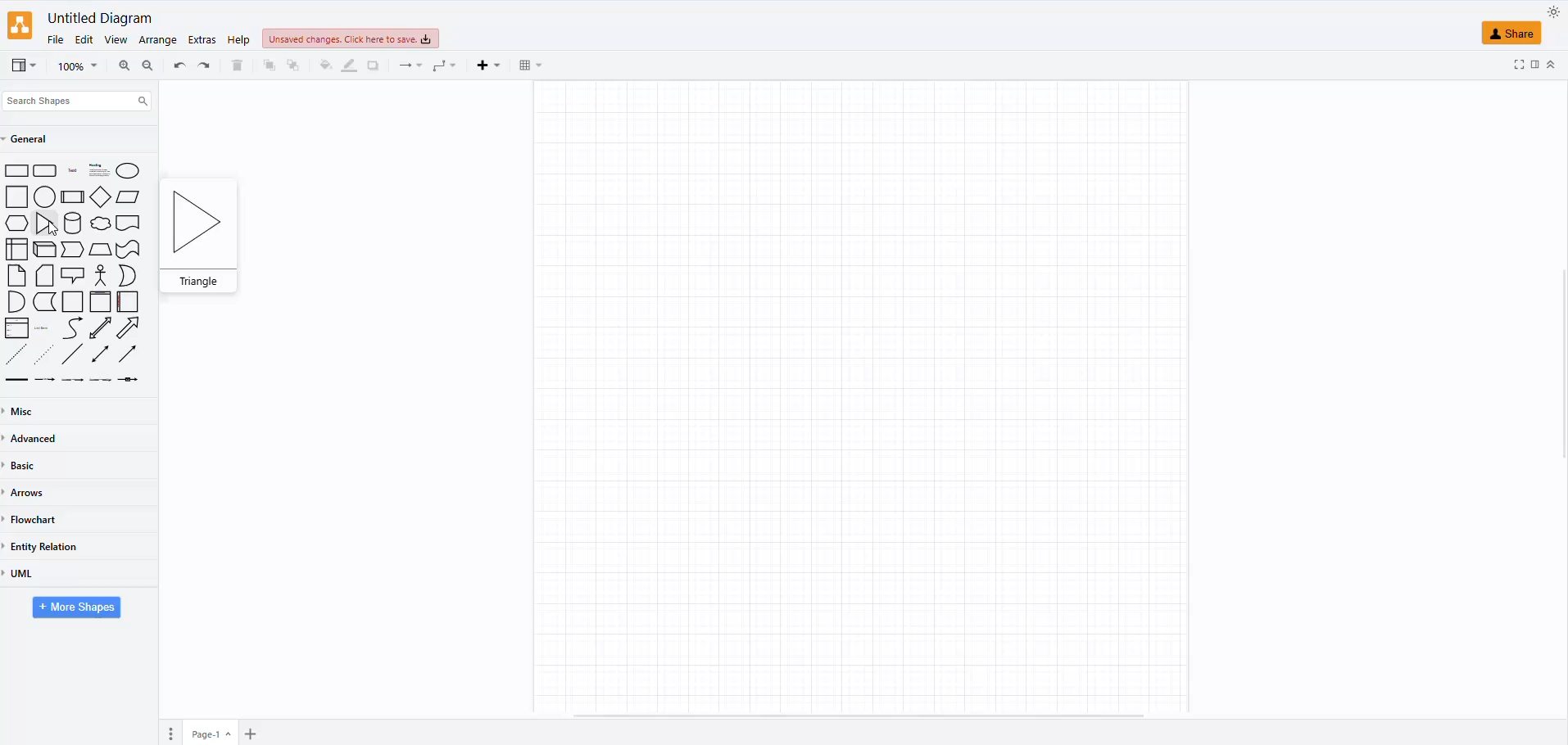  What do you see at coordinates (45, 196) in the screenshot?
I see `Oval` at bounding box center [45, 196].